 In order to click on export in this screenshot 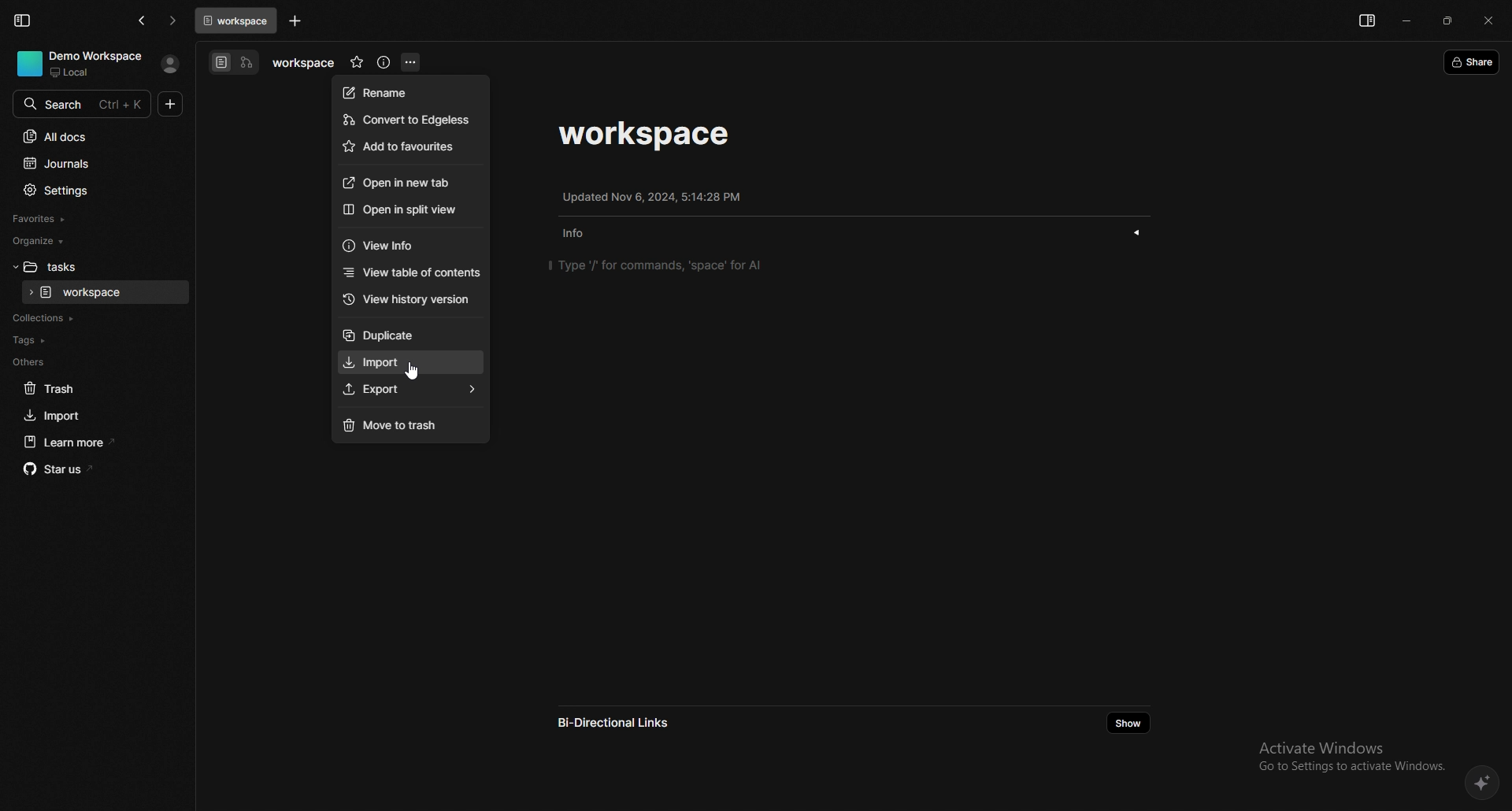, I will do `click(412, 391)`.